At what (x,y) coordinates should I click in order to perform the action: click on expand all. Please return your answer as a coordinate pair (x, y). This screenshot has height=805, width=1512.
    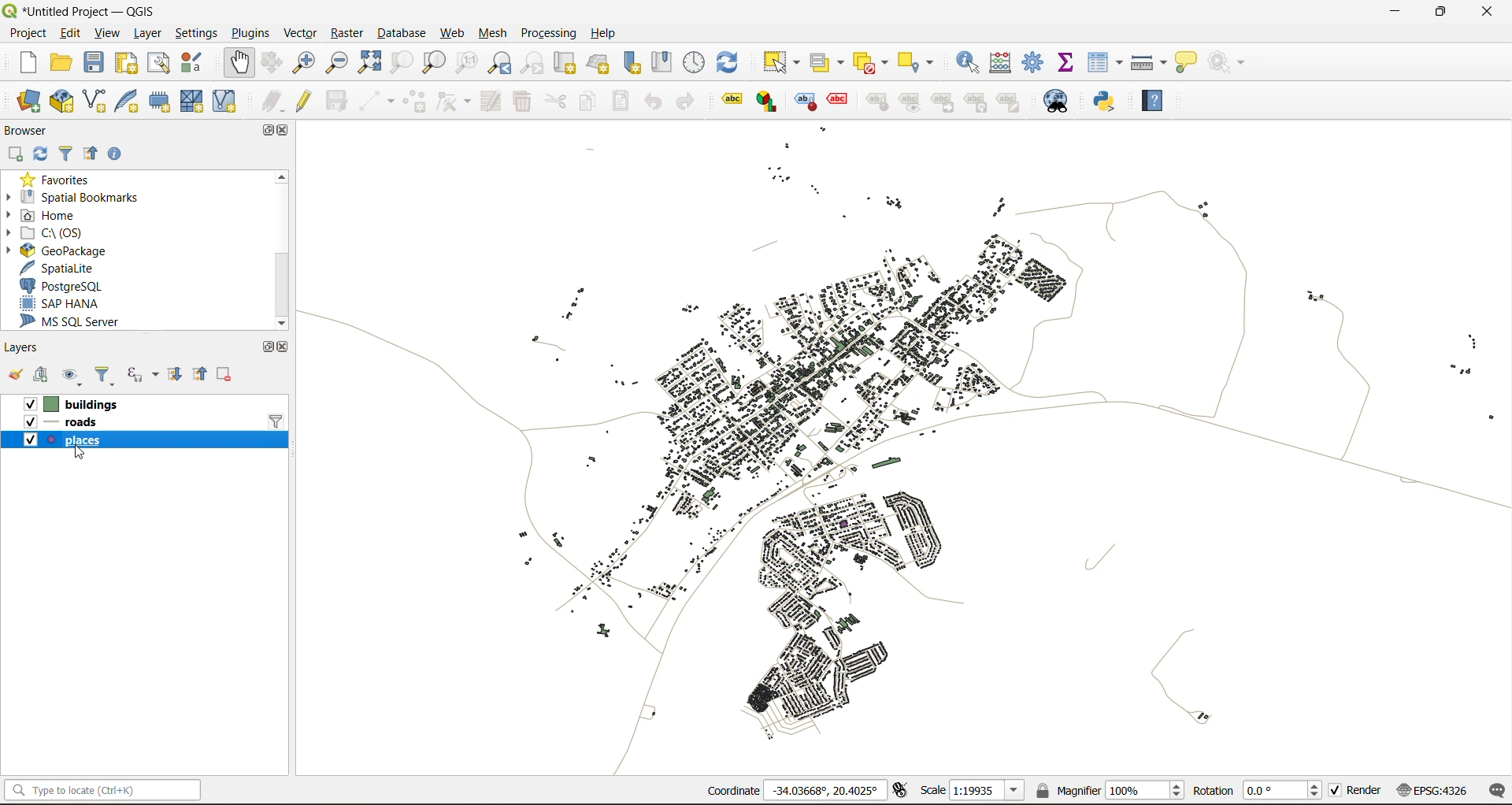
    Looking at the image, I should click on (176, 378).